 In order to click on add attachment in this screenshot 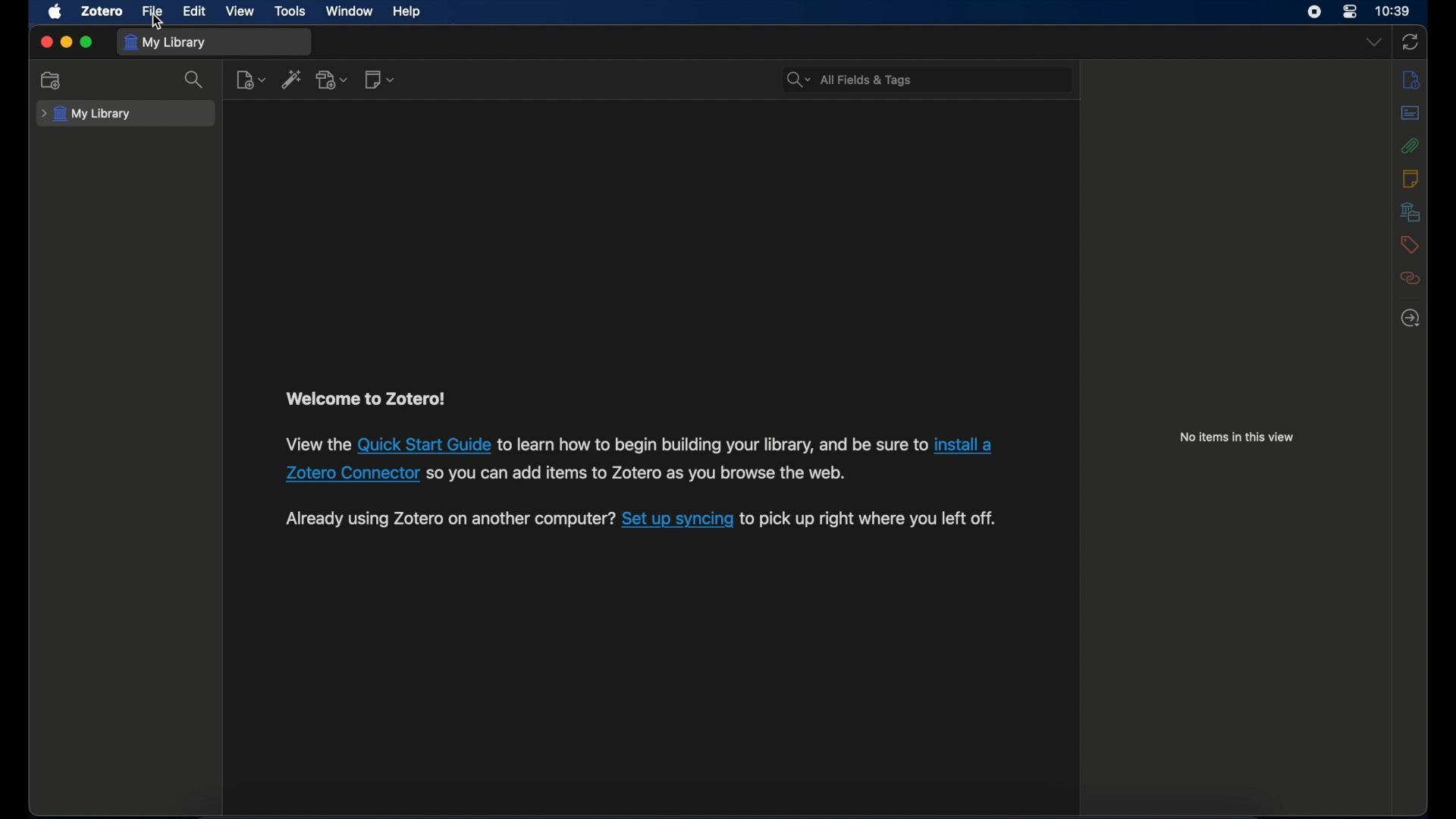, I will do `click(334, 80)`.